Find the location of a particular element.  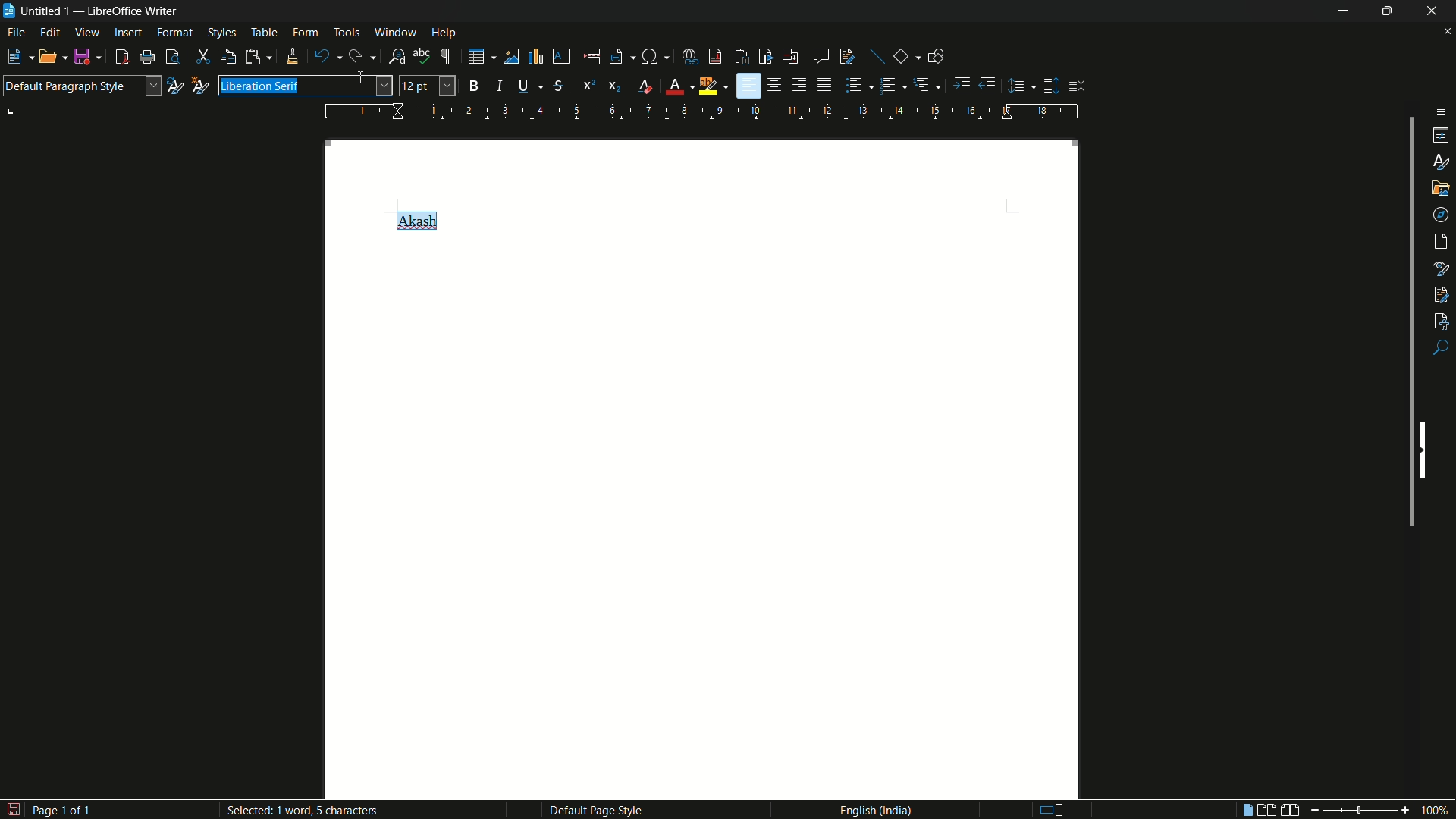

insert hyperlink is located at coordinates (692, 57).